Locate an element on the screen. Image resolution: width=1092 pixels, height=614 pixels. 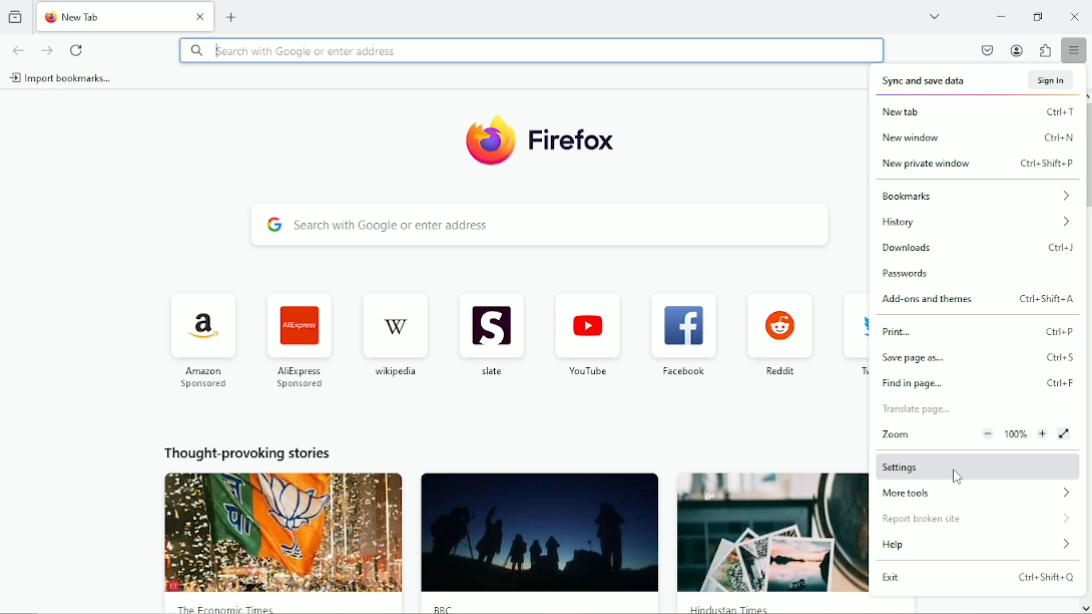
Passwords is located at coordinates (978, 273).